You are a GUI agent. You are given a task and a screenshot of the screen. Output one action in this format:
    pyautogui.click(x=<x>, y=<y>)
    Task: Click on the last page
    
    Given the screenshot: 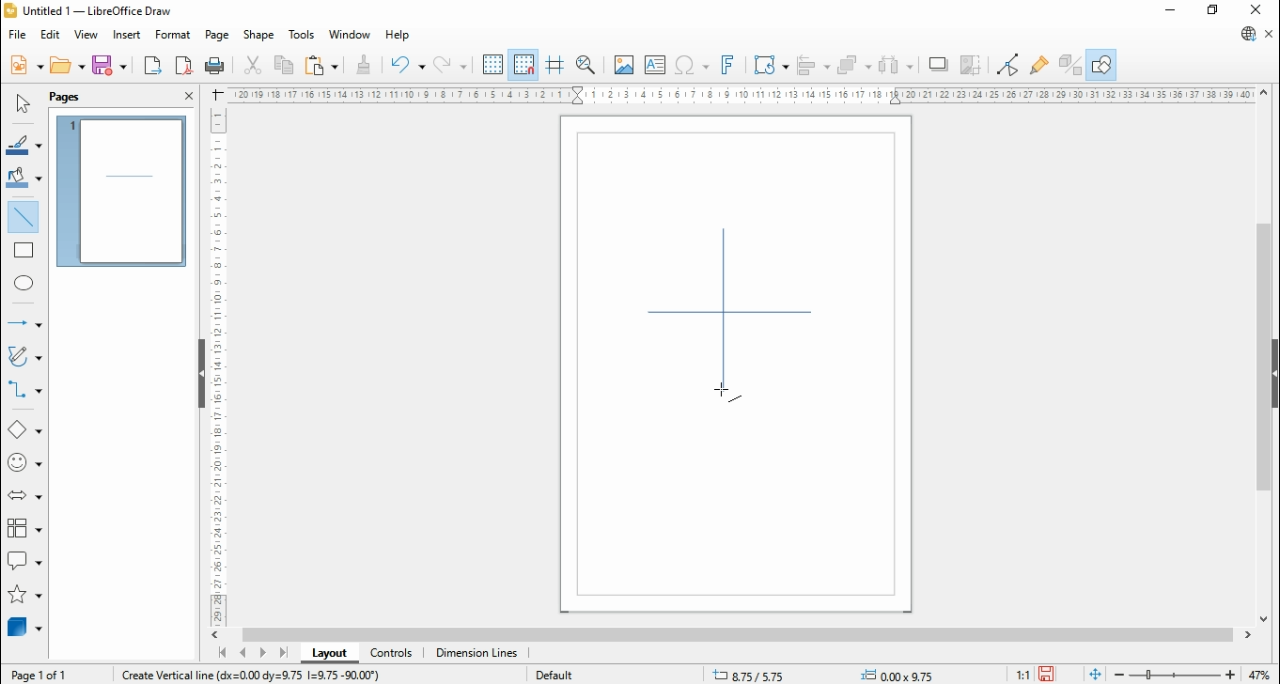 What is the action you would take?
    pyautogui.click(x=284, y=652)
    